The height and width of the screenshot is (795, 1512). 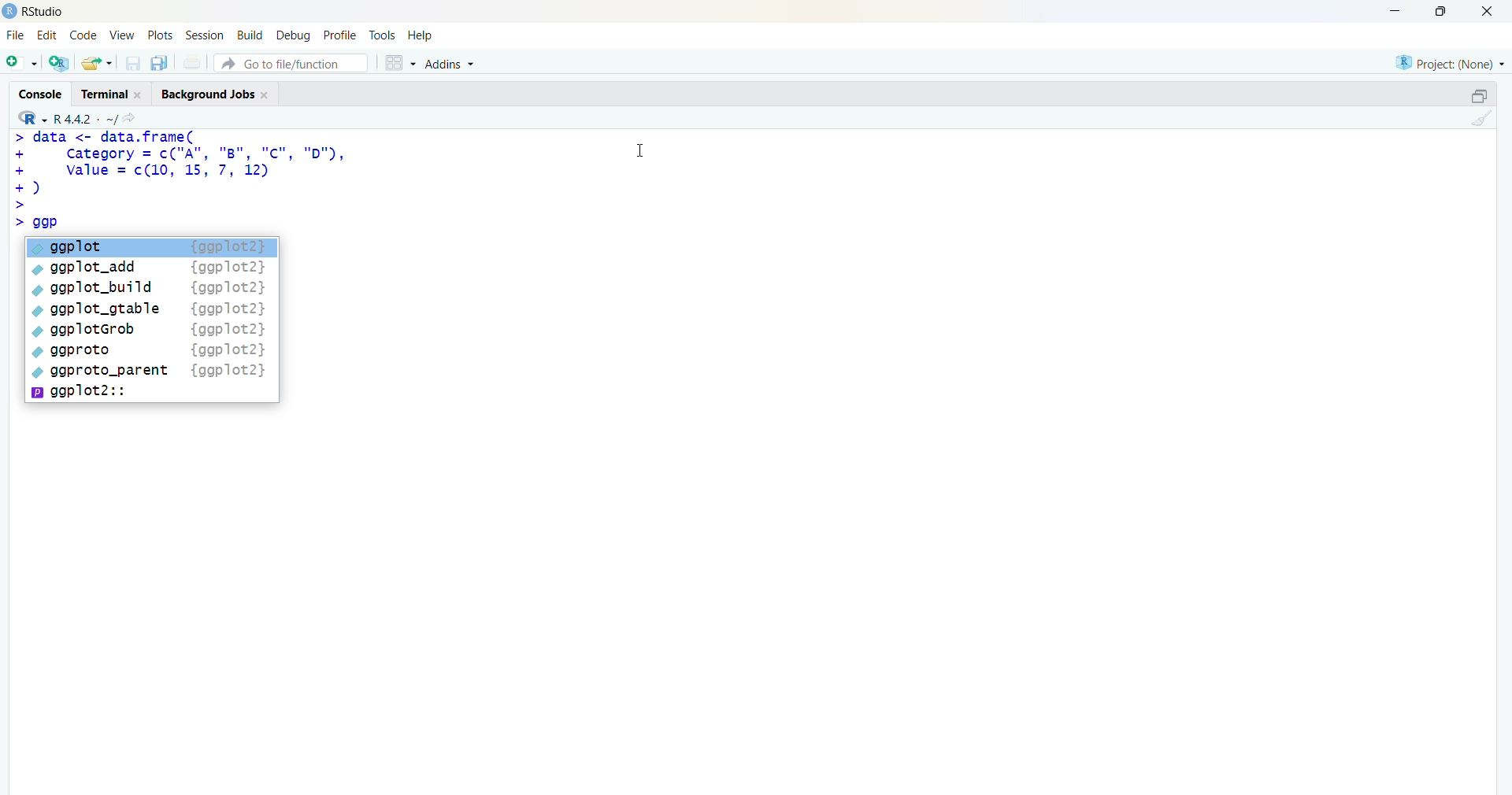 I want to click on minimize, so click(x=1400, y=11).